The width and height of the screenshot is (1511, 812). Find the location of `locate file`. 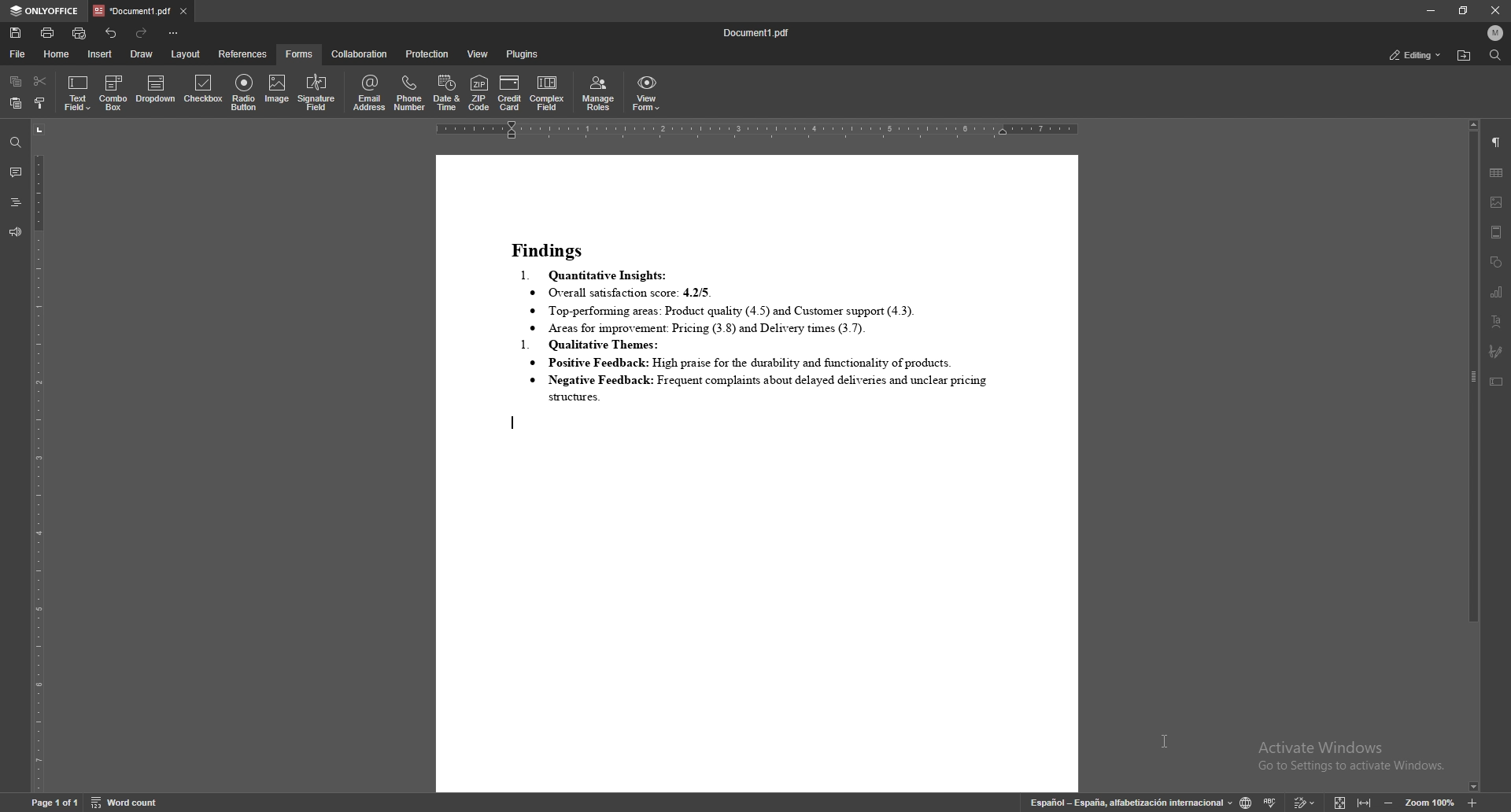

locate file is located at coordinates (1464, 56).